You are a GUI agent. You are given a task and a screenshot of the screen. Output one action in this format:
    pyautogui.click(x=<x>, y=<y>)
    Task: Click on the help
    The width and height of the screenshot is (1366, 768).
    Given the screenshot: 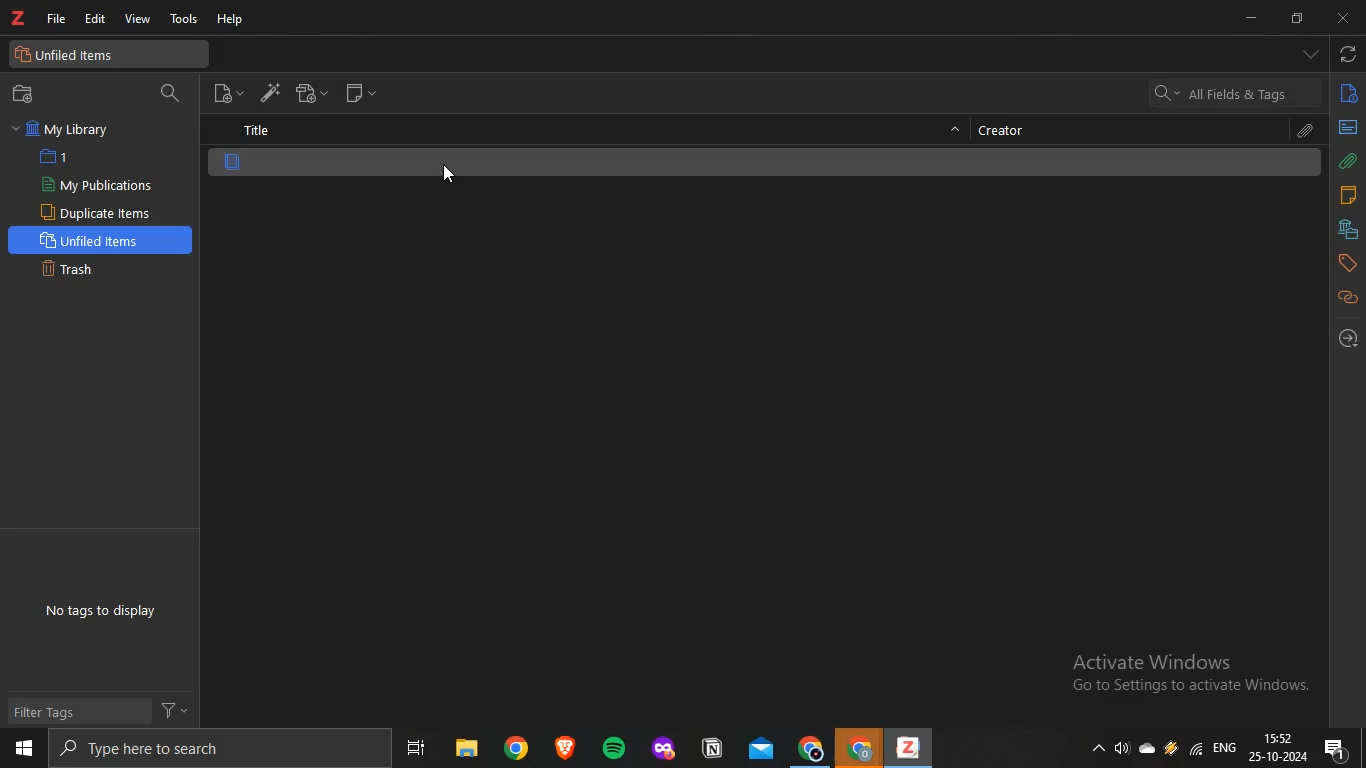 What is the action you would take?
    pyautogui.click(x=233, y=20)
    